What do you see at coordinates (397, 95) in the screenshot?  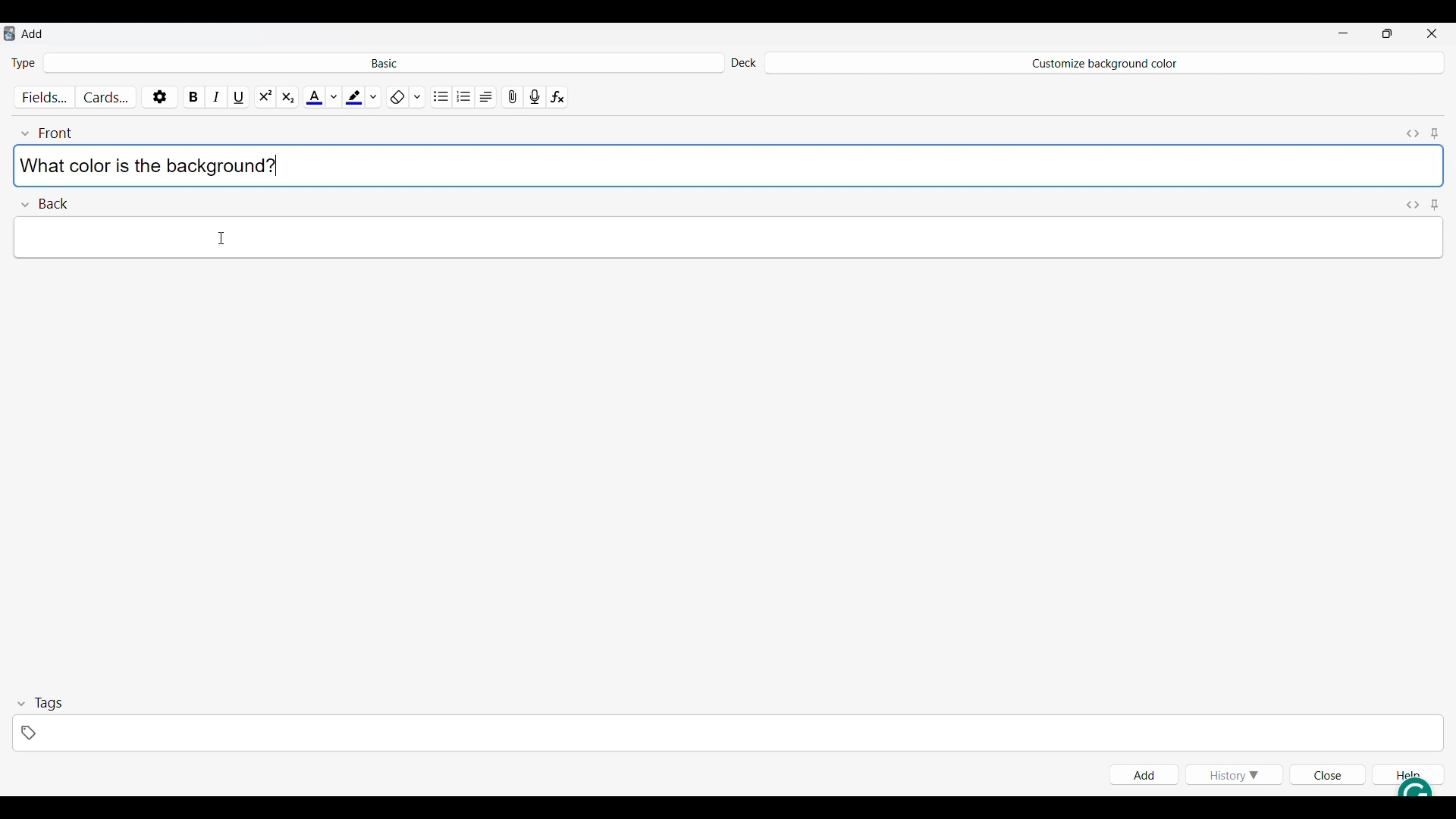 I see `Remove formatting` at bounding box center [397, 95].